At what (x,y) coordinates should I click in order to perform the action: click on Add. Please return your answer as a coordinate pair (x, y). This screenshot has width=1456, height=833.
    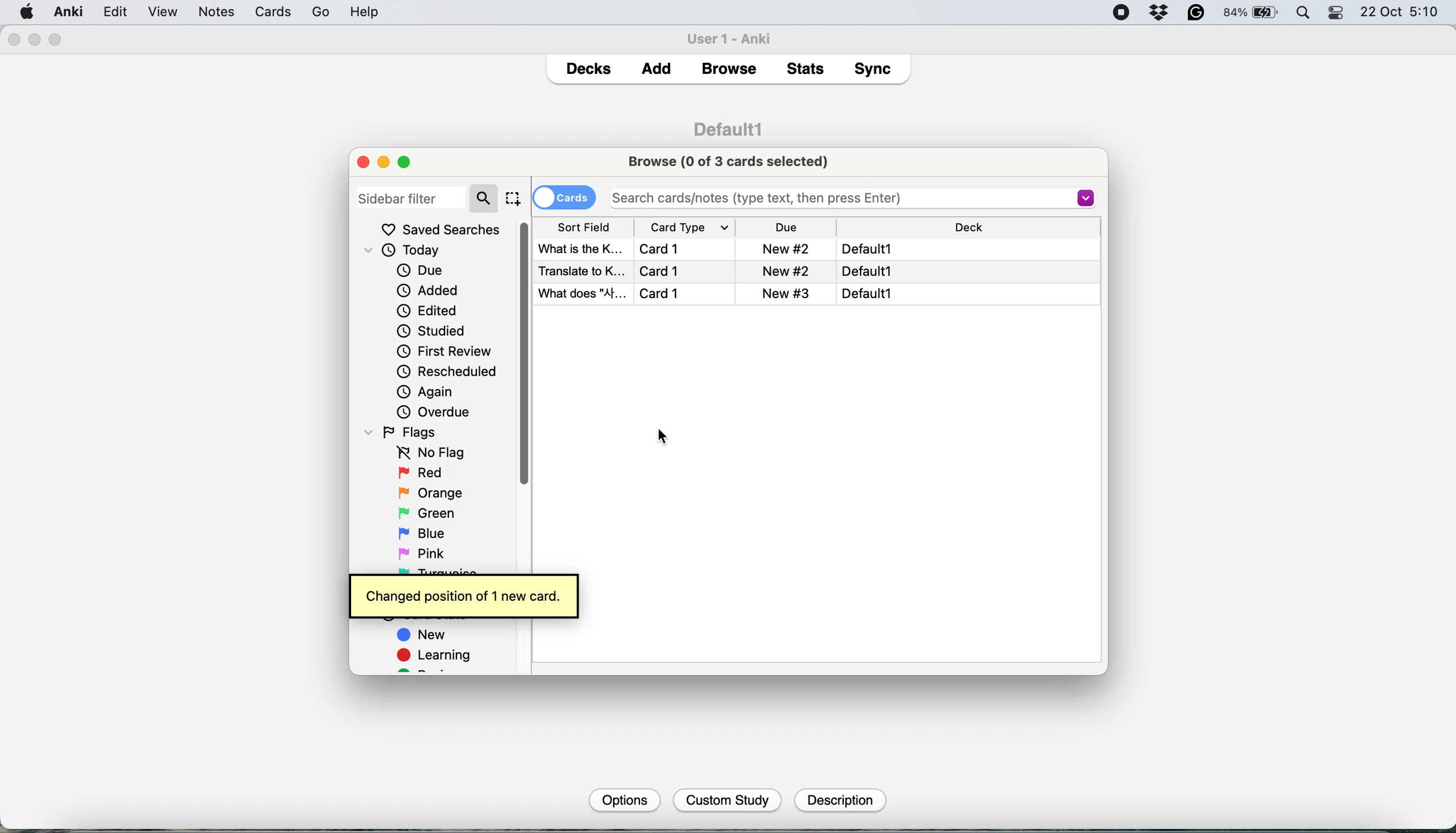
    Looking at the image, I should click on (657, 65).